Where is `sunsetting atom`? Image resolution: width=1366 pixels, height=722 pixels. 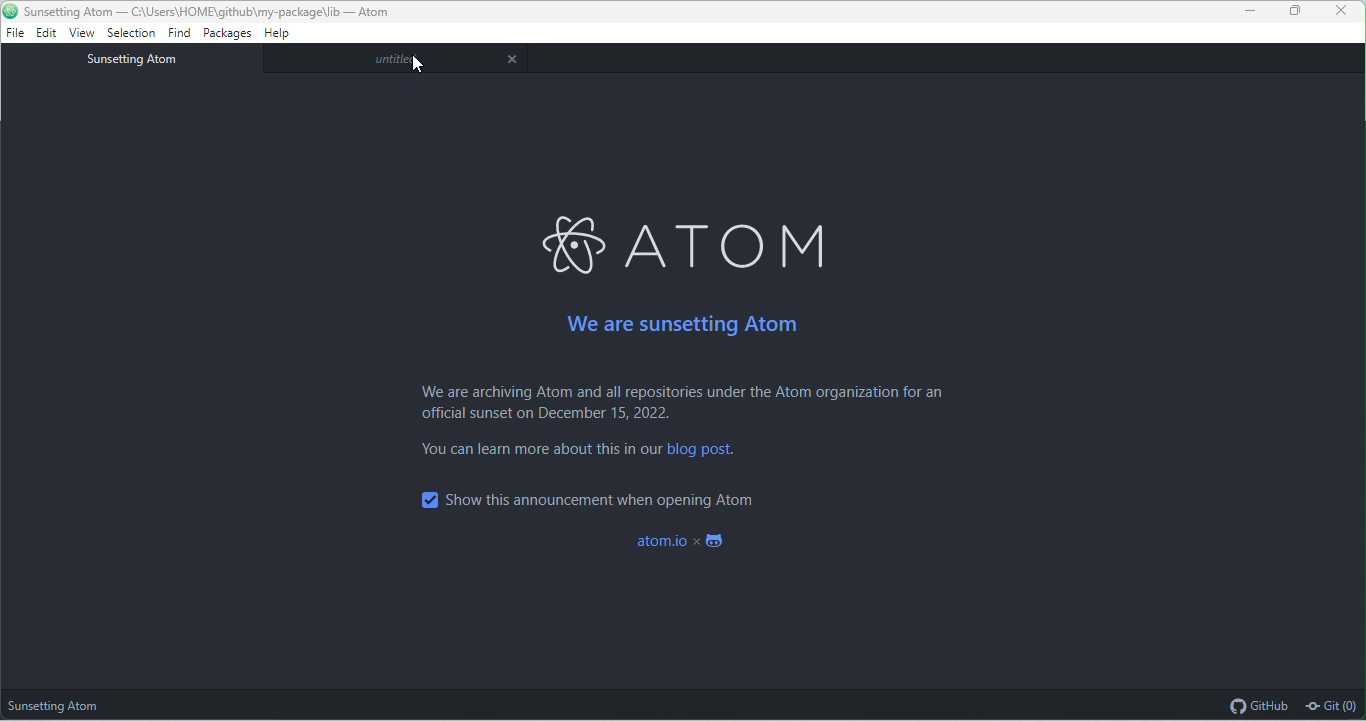
sunsetting atom is located at coordinates (133, 60).